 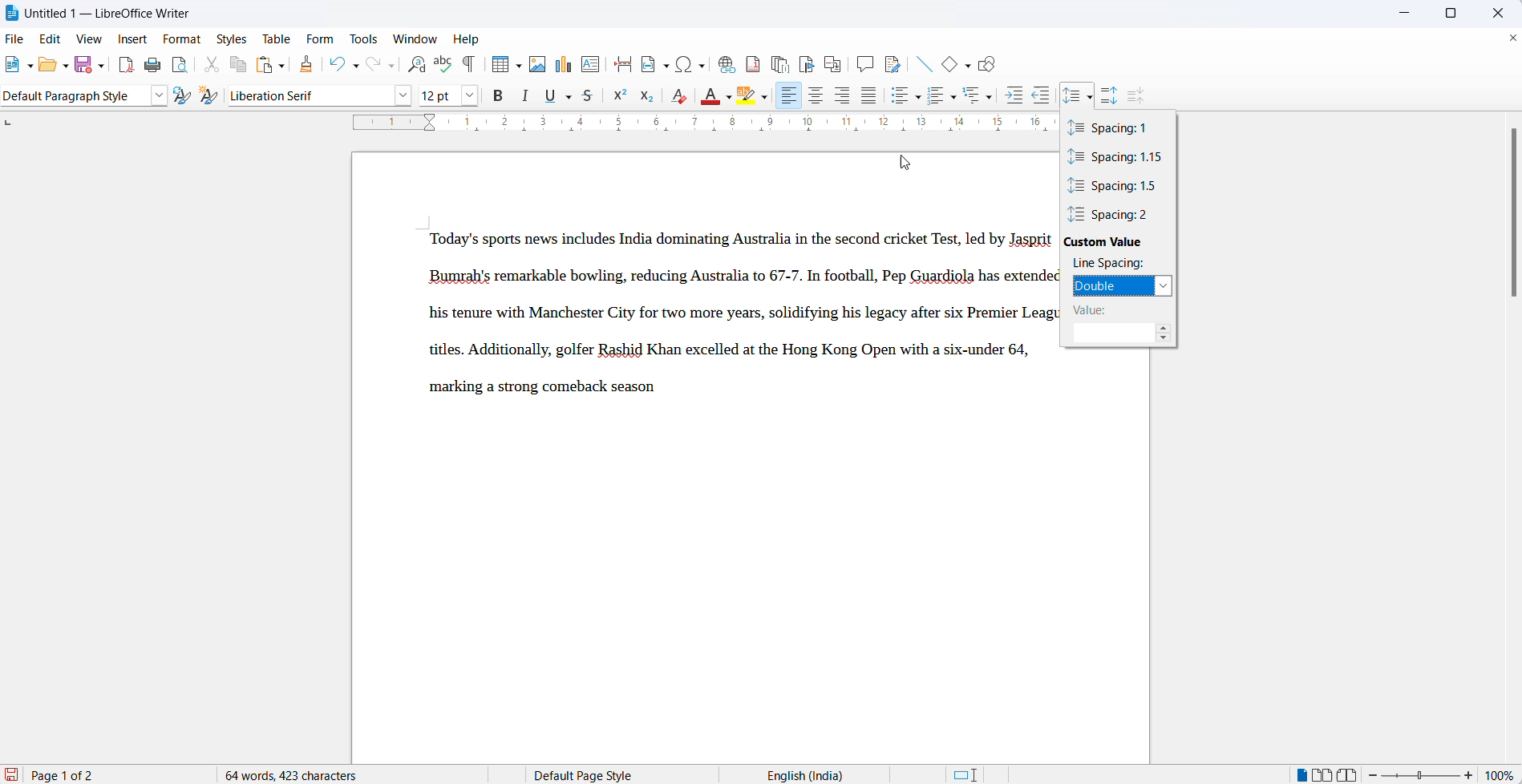 I want to click on copy, so click(x=239, y=66).